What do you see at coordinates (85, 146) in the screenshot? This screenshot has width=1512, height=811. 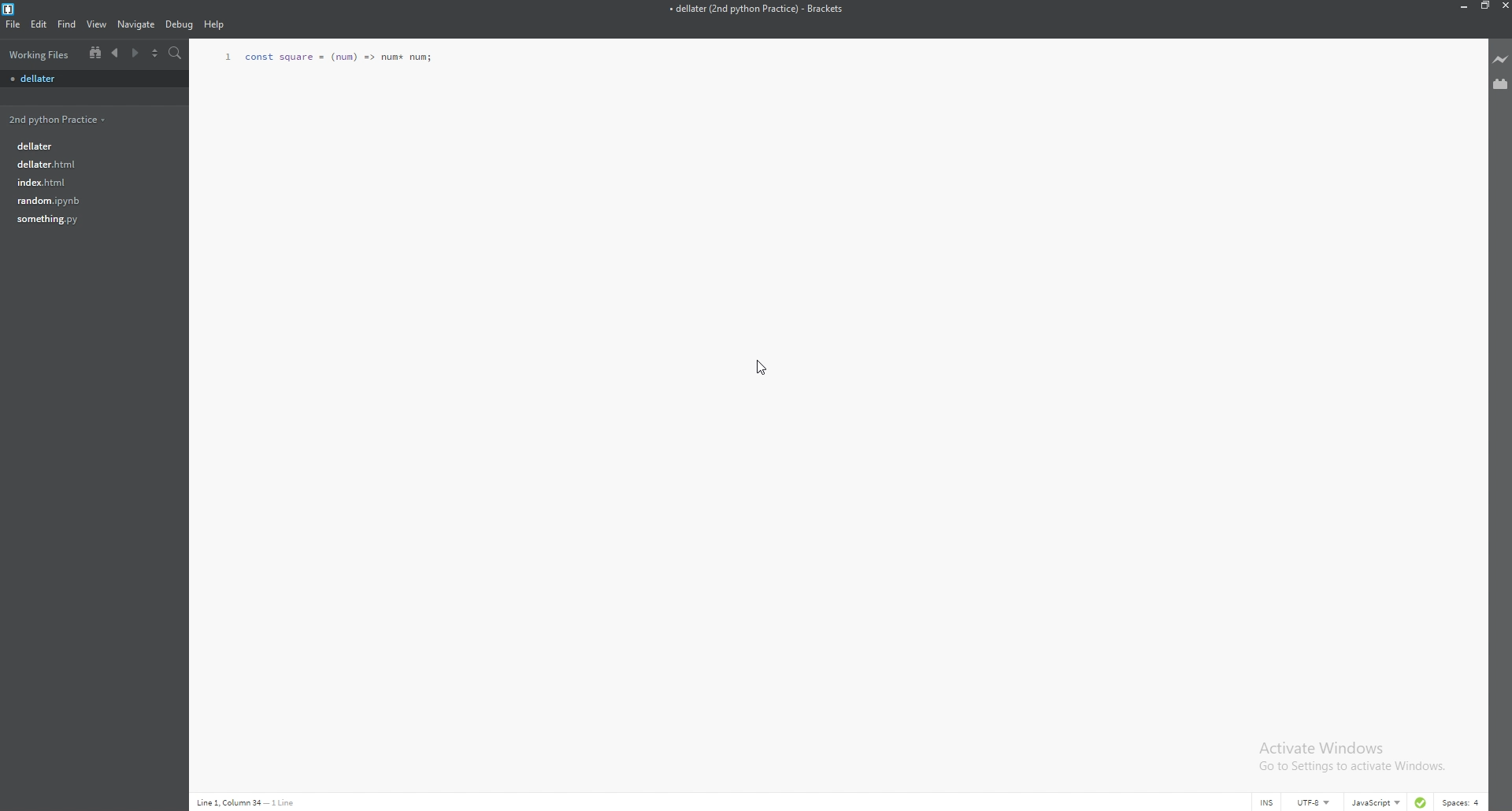 I see `file` at bounding box center [85, 146].